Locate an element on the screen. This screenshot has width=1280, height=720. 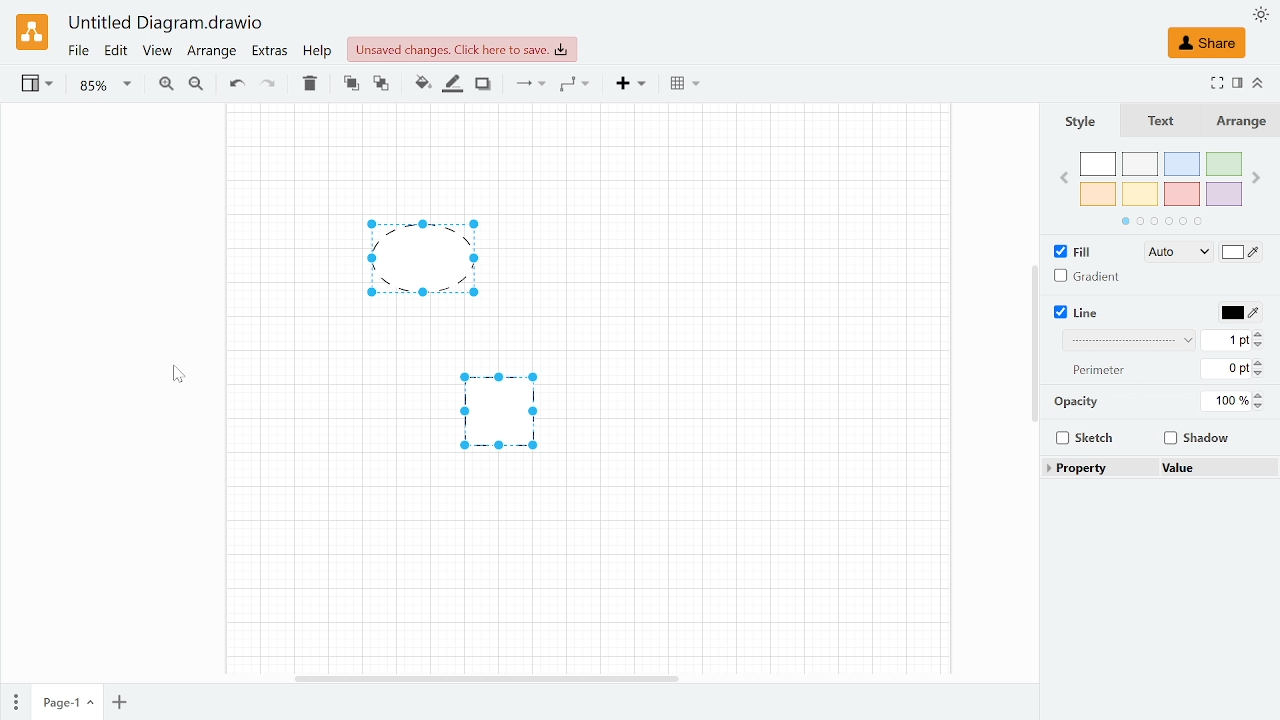
Line color is located at coordinates (1238, 313).